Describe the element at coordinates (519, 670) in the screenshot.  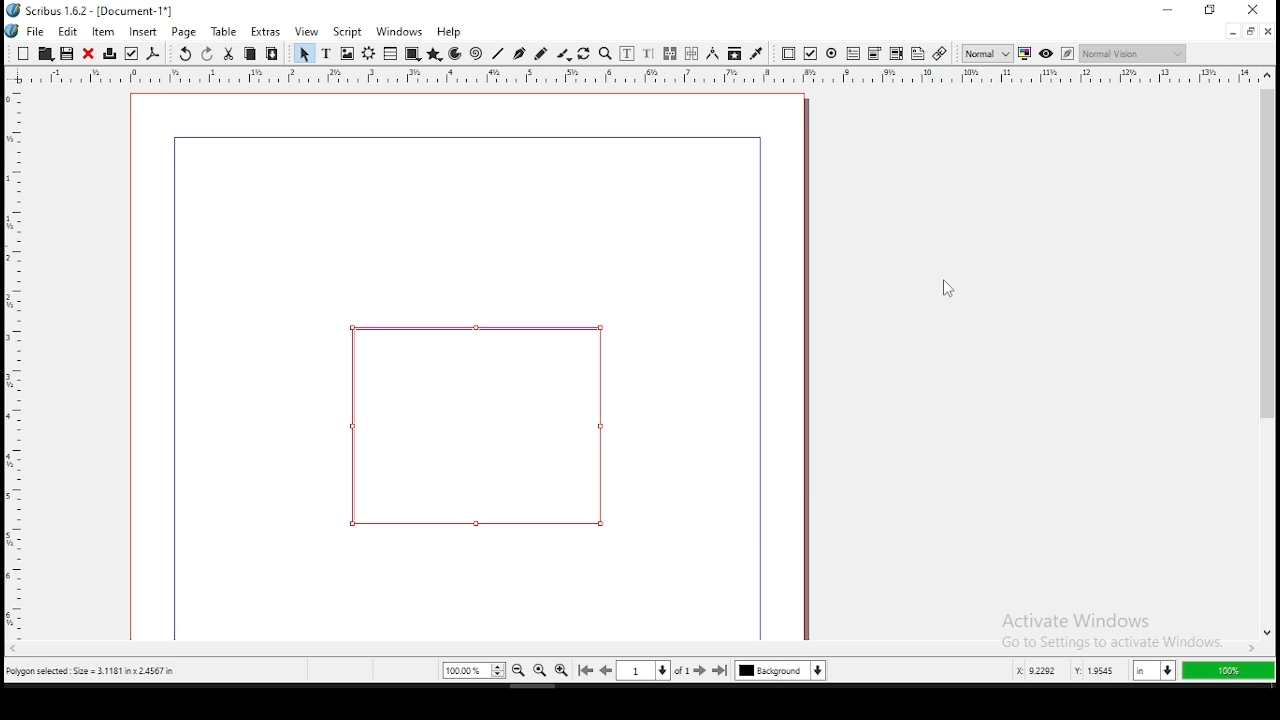
I see `zoom out` at that location.